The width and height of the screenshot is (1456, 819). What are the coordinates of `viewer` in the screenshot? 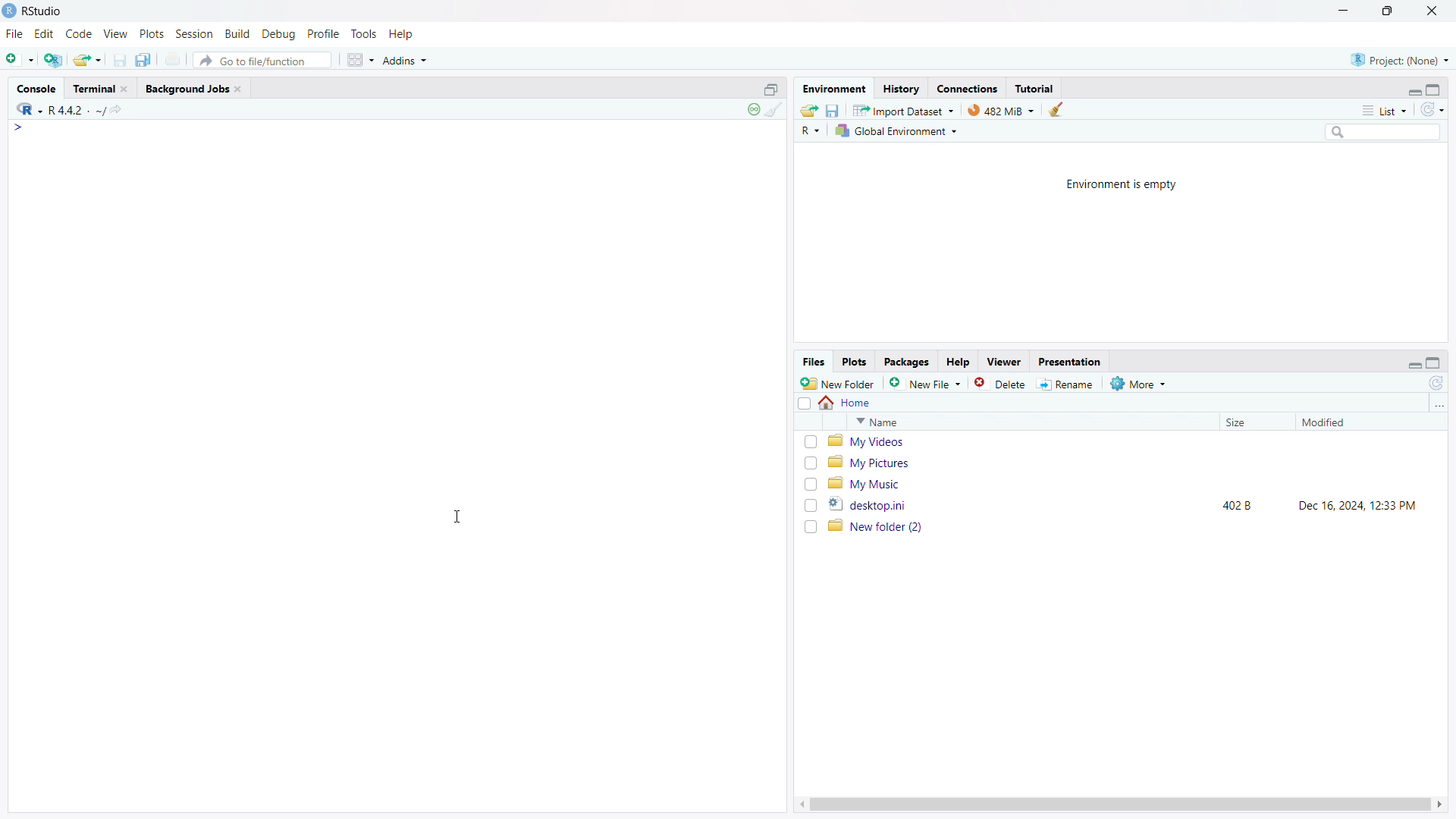 It's located at (1004, 362).